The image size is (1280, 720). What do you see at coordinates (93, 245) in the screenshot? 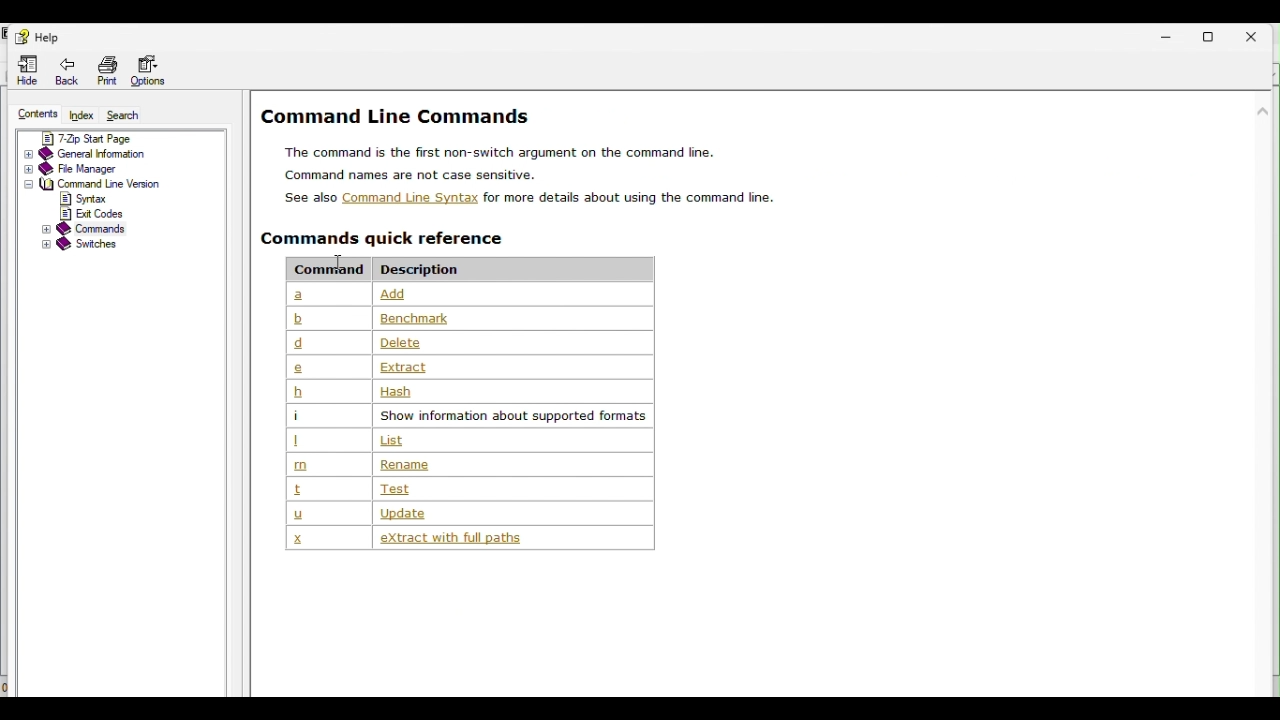
I see `Switches` at bounding box center [93, 245].